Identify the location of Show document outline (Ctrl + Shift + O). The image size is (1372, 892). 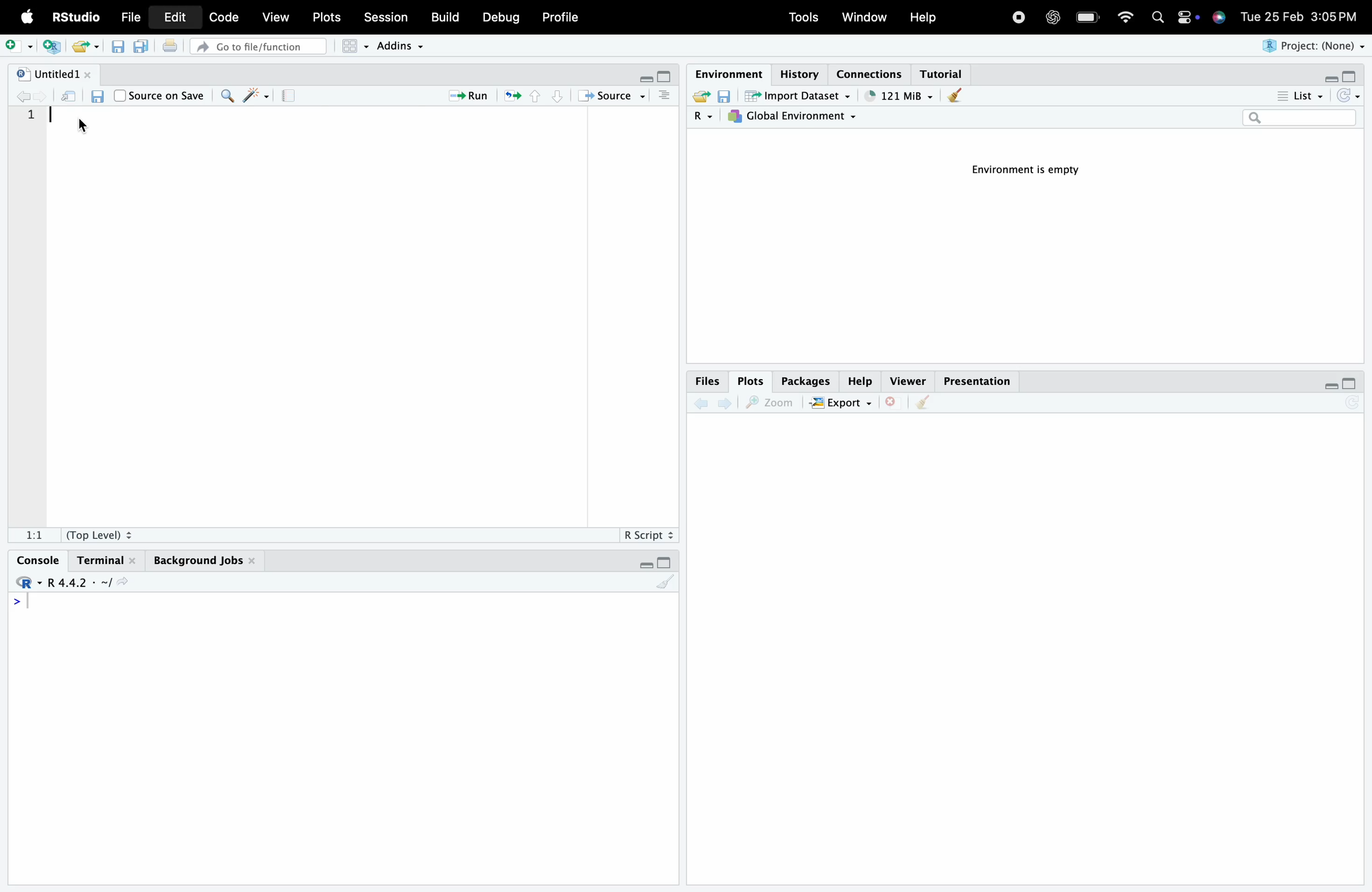
(665, 96).